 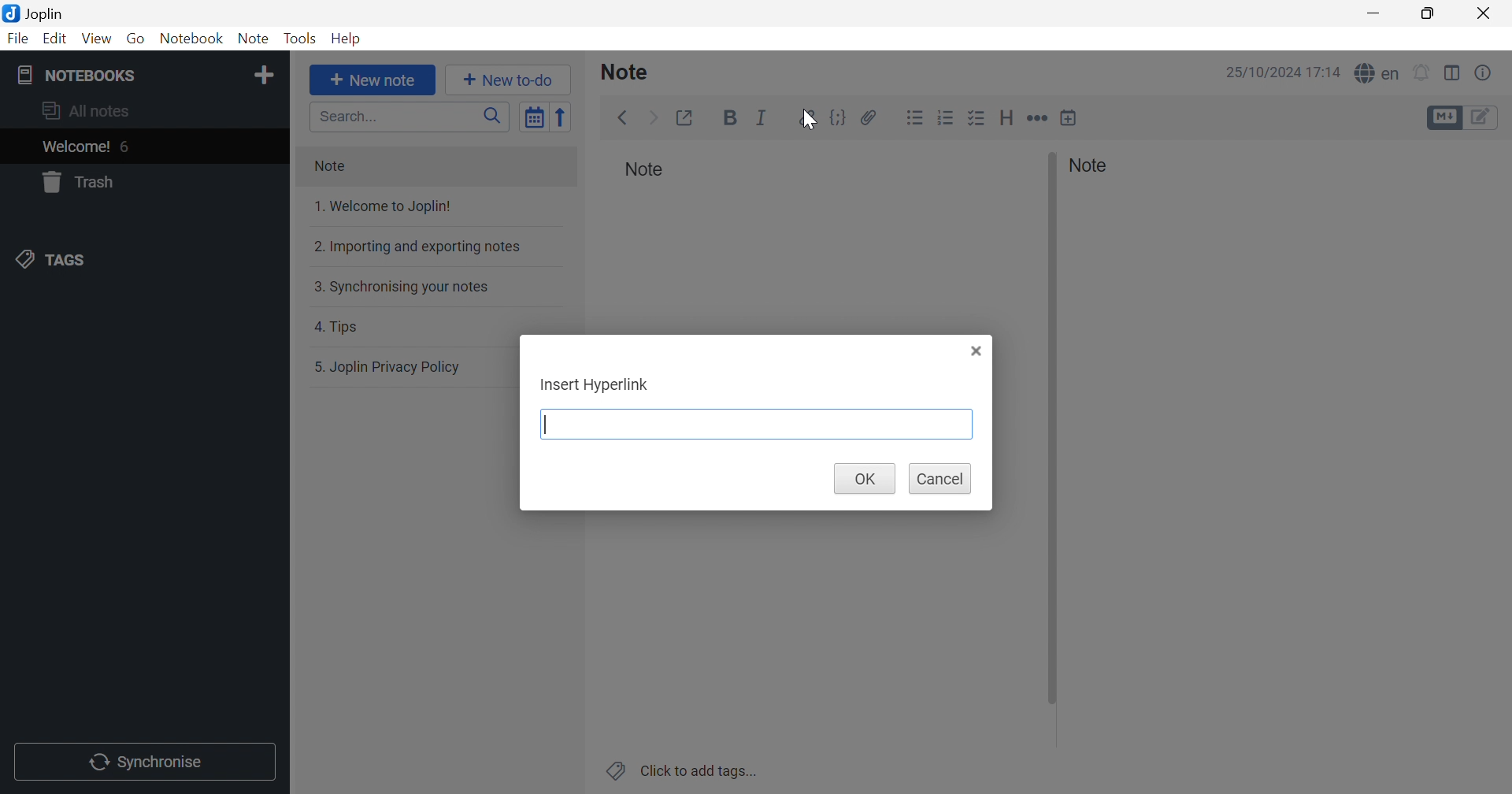 I want to click on Cancel, so click(x=939, y=479).